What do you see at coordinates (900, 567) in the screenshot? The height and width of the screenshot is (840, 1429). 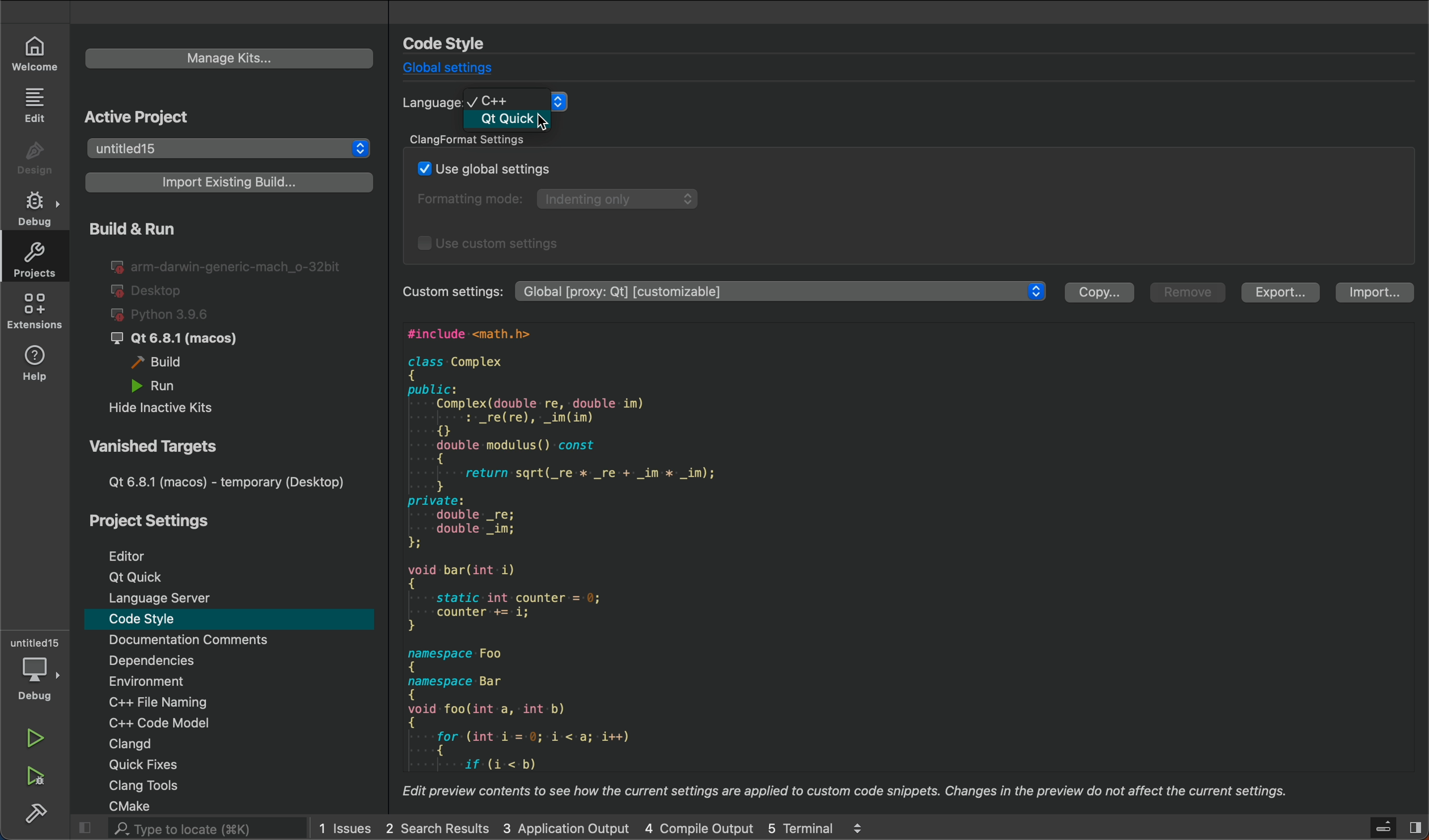 I see `code in selected language` at bounding box center [900, 567].